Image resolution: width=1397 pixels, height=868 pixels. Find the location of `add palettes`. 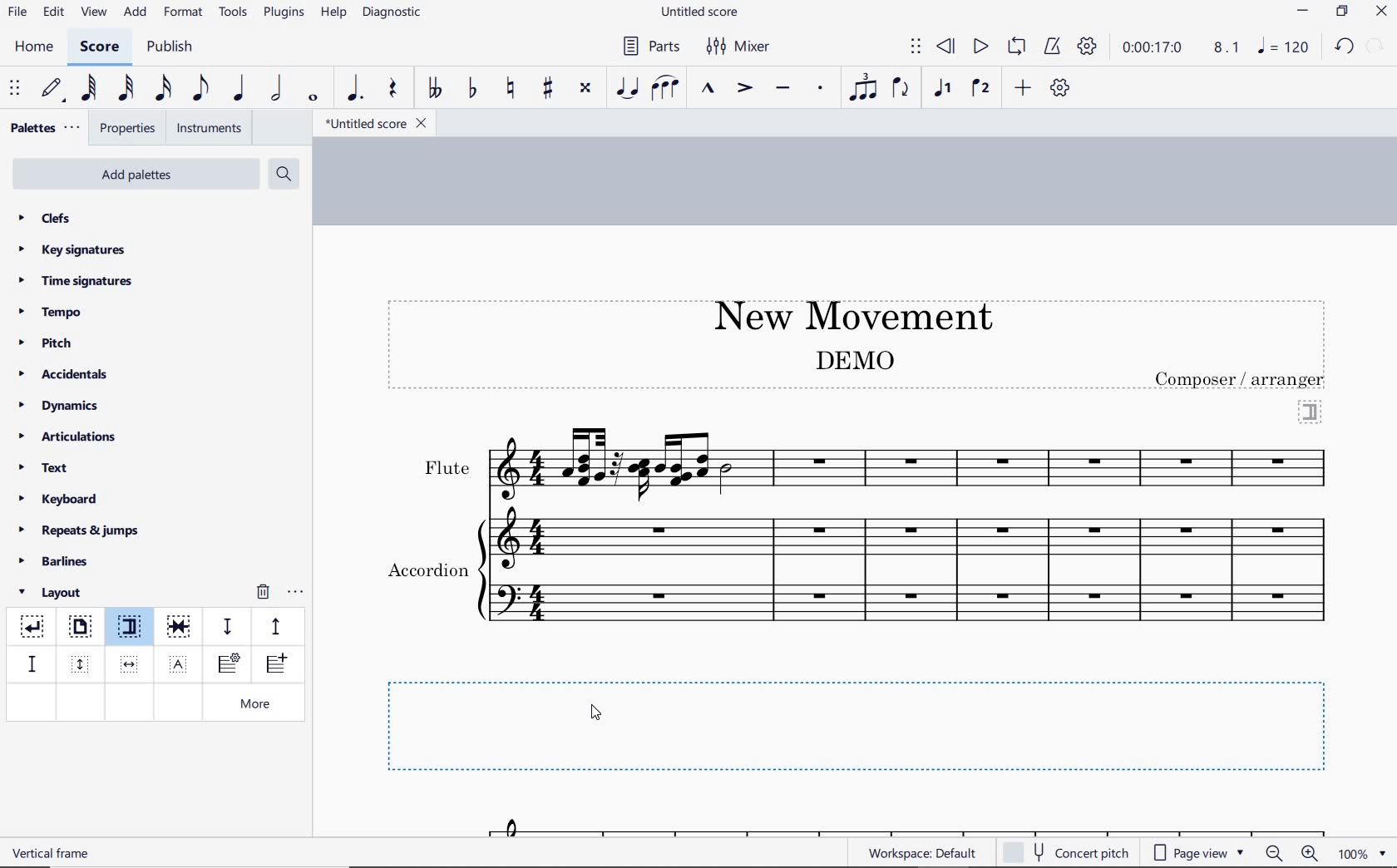

add palettes is located at coordinates (138, 177).